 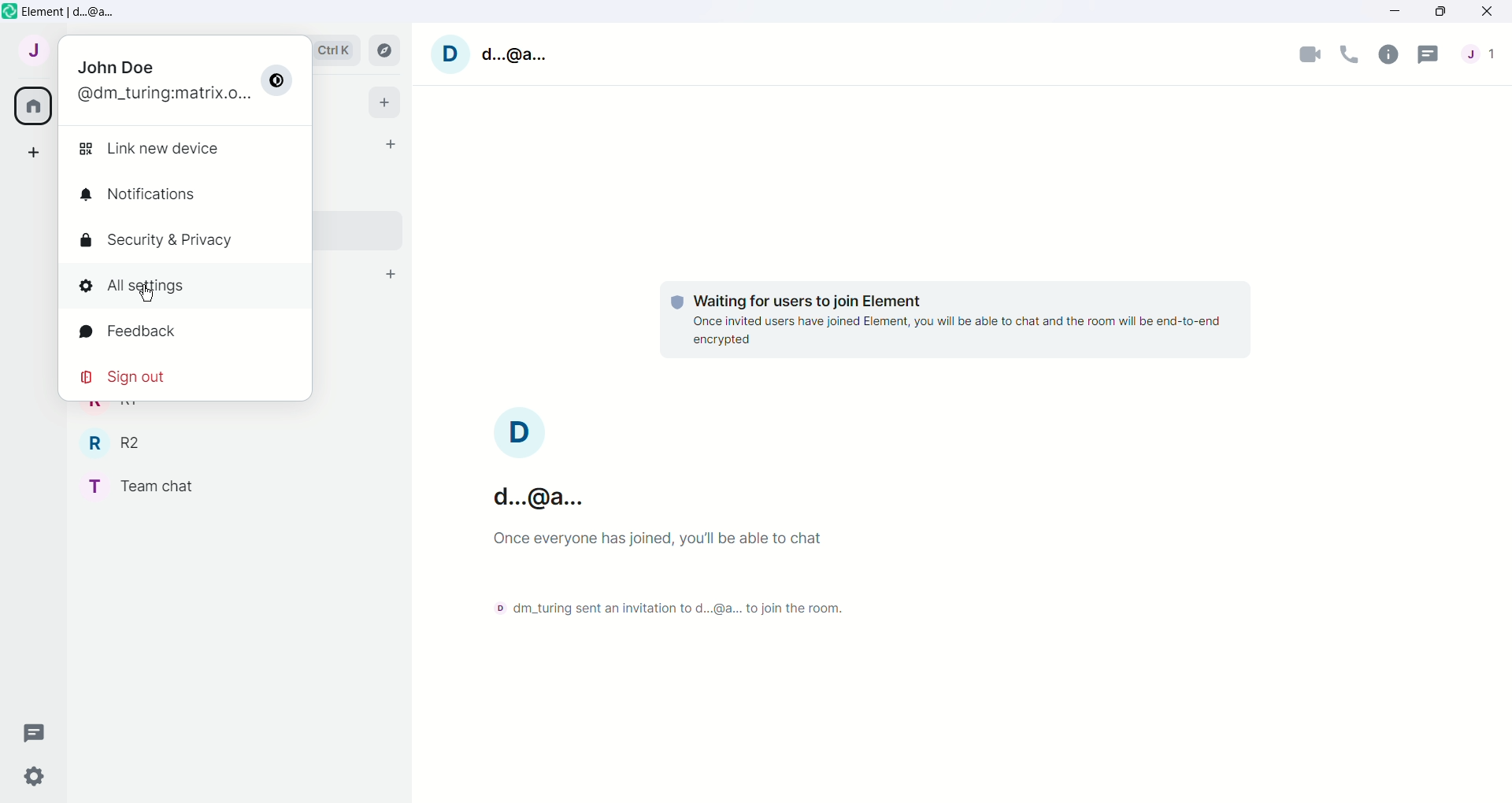 What do you see at coordinates (120, 442) in the screenshot?
I see `R2 - Room Name` at bounding box center [120, 442].